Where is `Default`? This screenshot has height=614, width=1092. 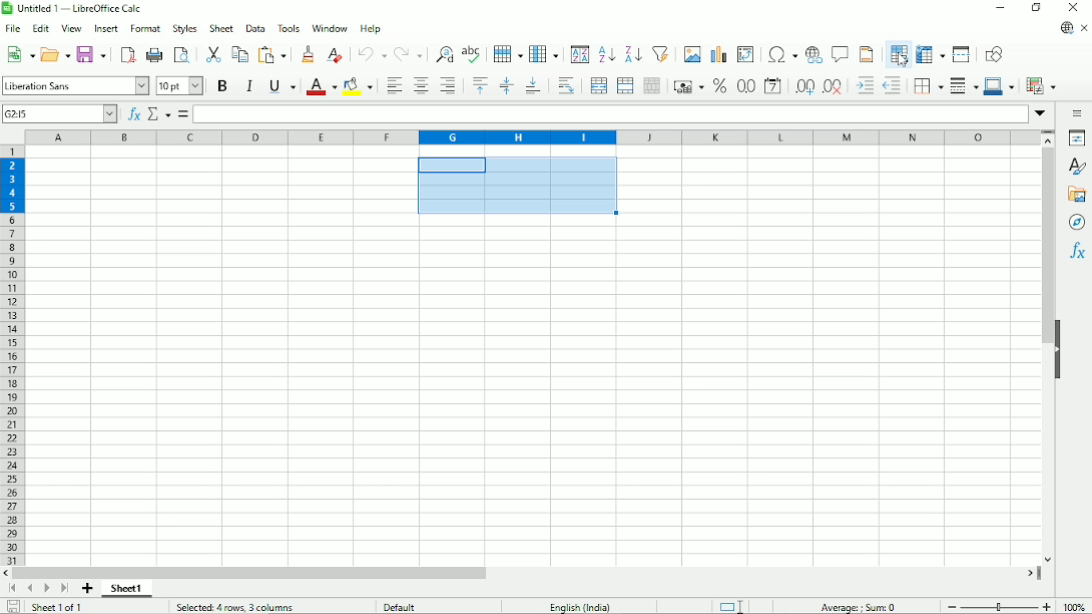
Default is located at coordinates (406, 605).